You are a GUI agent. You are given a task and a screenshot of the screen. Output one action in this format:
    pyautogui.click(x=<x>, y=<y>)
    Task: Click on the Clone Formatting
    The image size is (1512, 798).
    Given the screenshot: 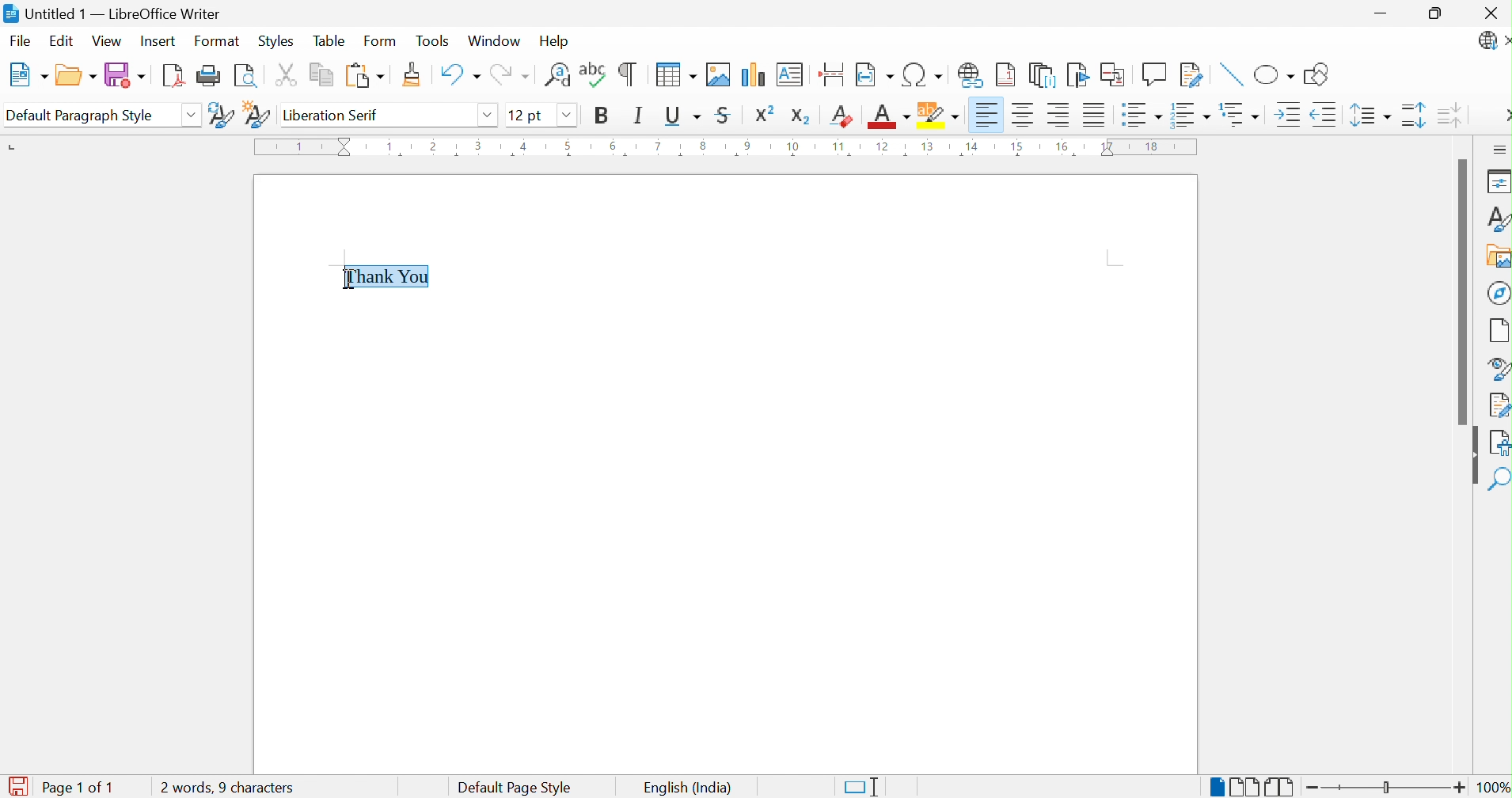 What is the action you would take?
    pyautogui.click(x=412, y=74)
    